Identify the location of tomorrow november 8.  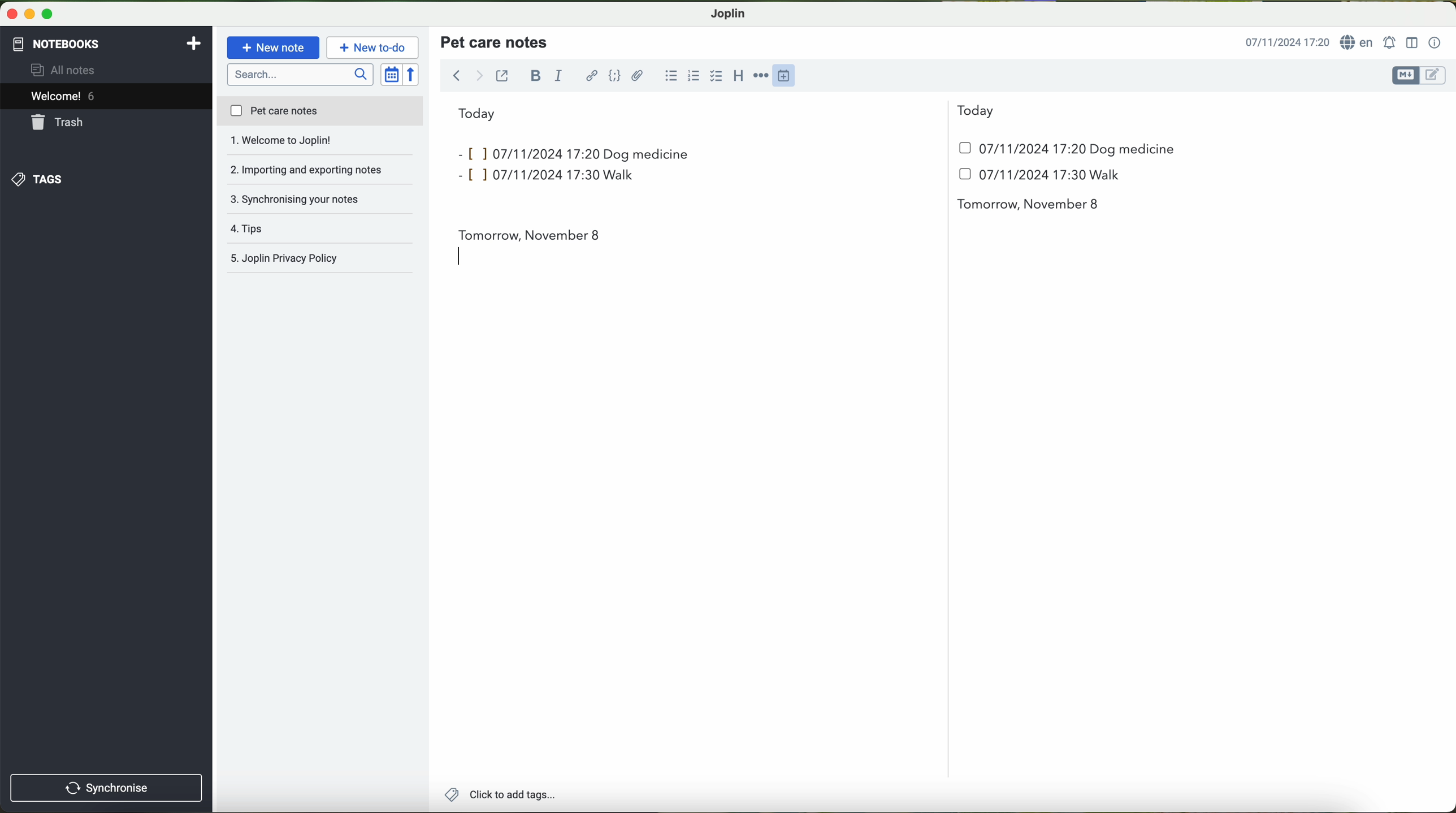
(1030, 205).